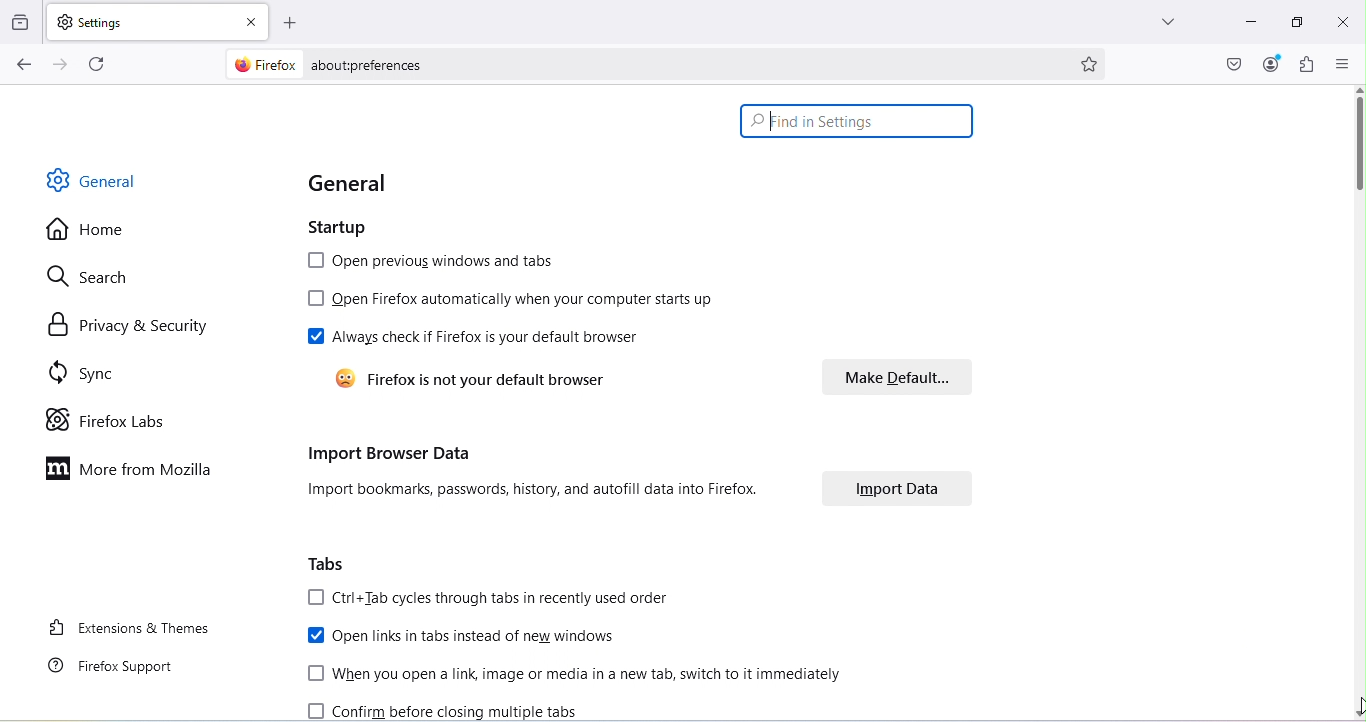  Describe the element at coordinates (142, 21) in the screenshot. I see `New tab` at that location.